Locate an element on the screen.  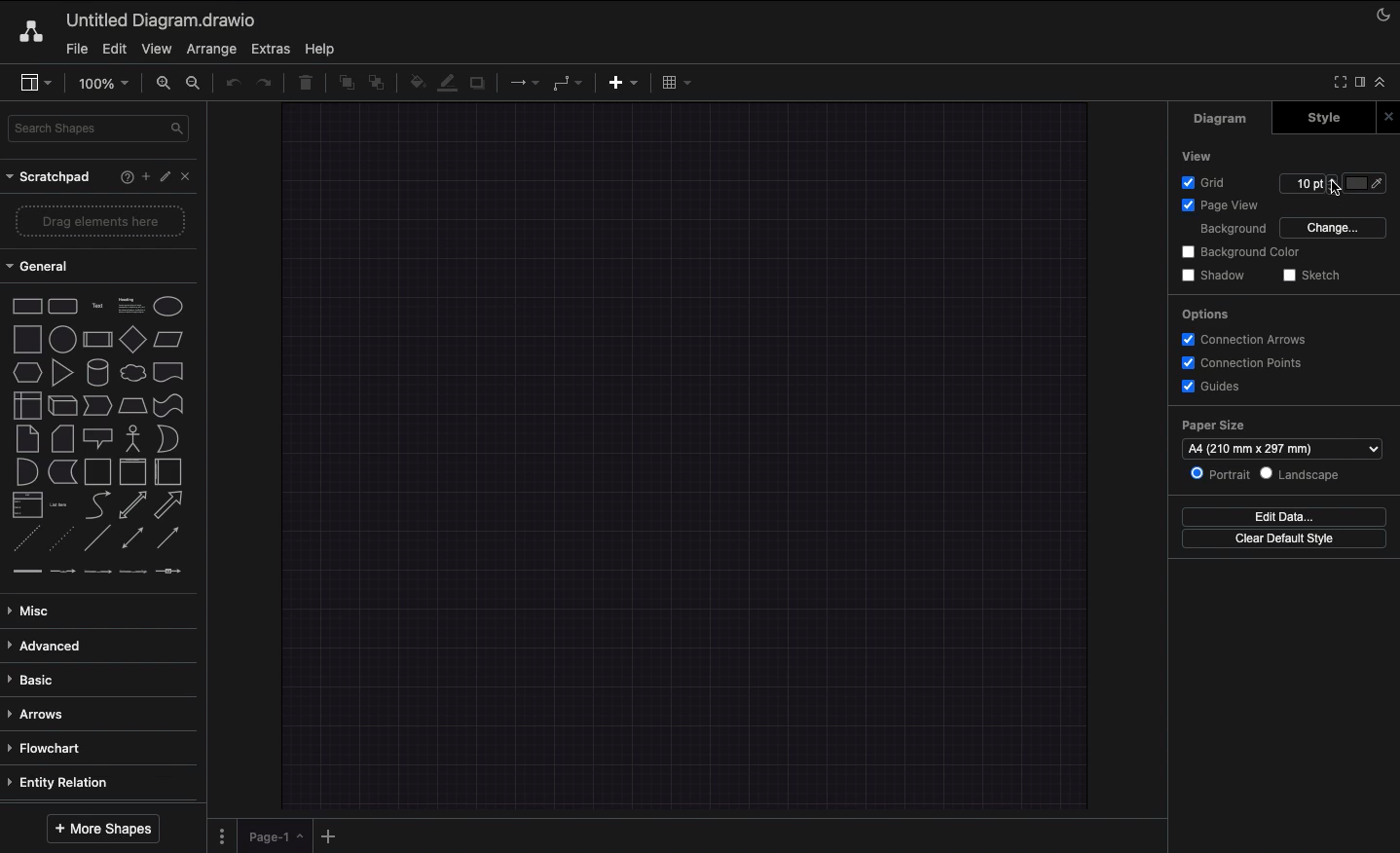
Color picked is located at coordinates (1364, 183).